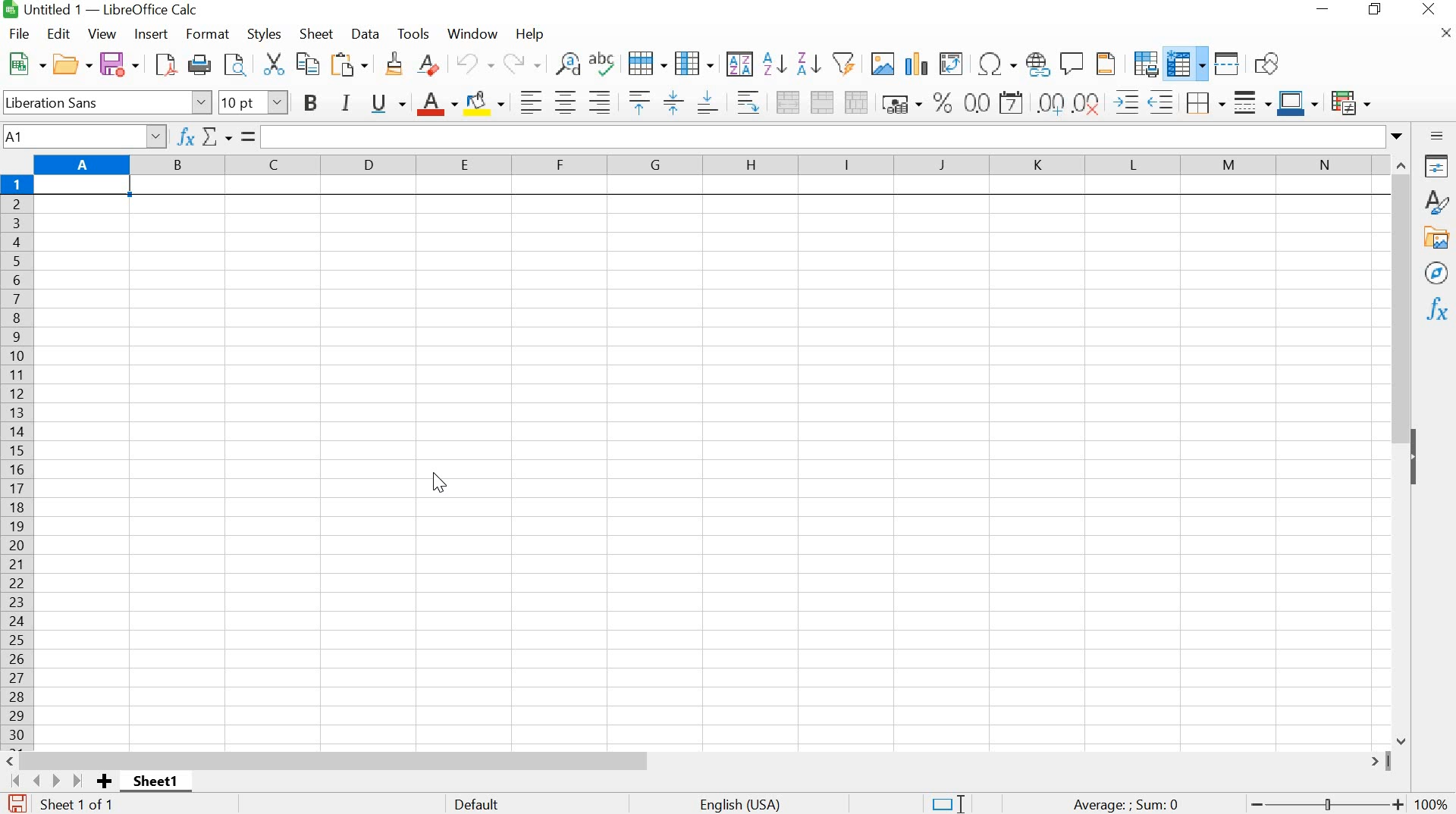 This screenshot has height=814, width=1456. What do you see at coordinates (86, 806) in the screenshot?
I see `SHEET 1 OF 1` at bounding box center [86, 806].